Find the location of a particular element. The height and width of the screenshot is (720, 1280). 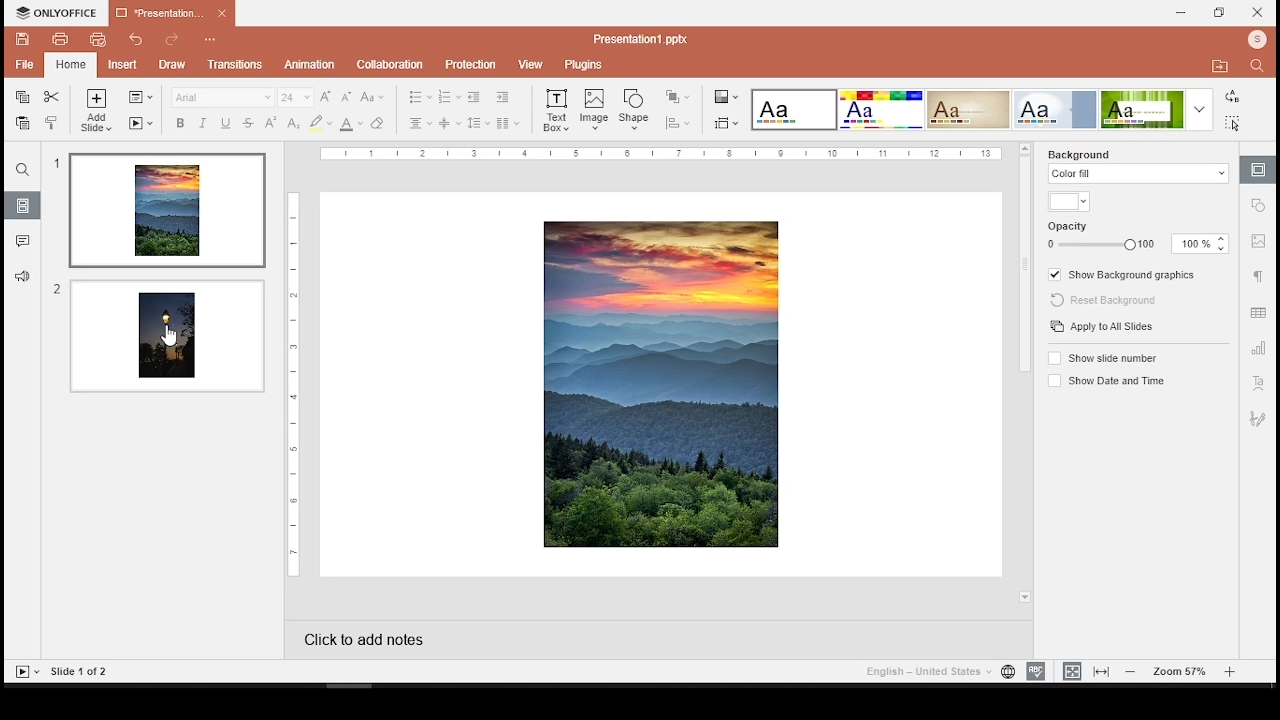

find is located at coordinates (23, 170).